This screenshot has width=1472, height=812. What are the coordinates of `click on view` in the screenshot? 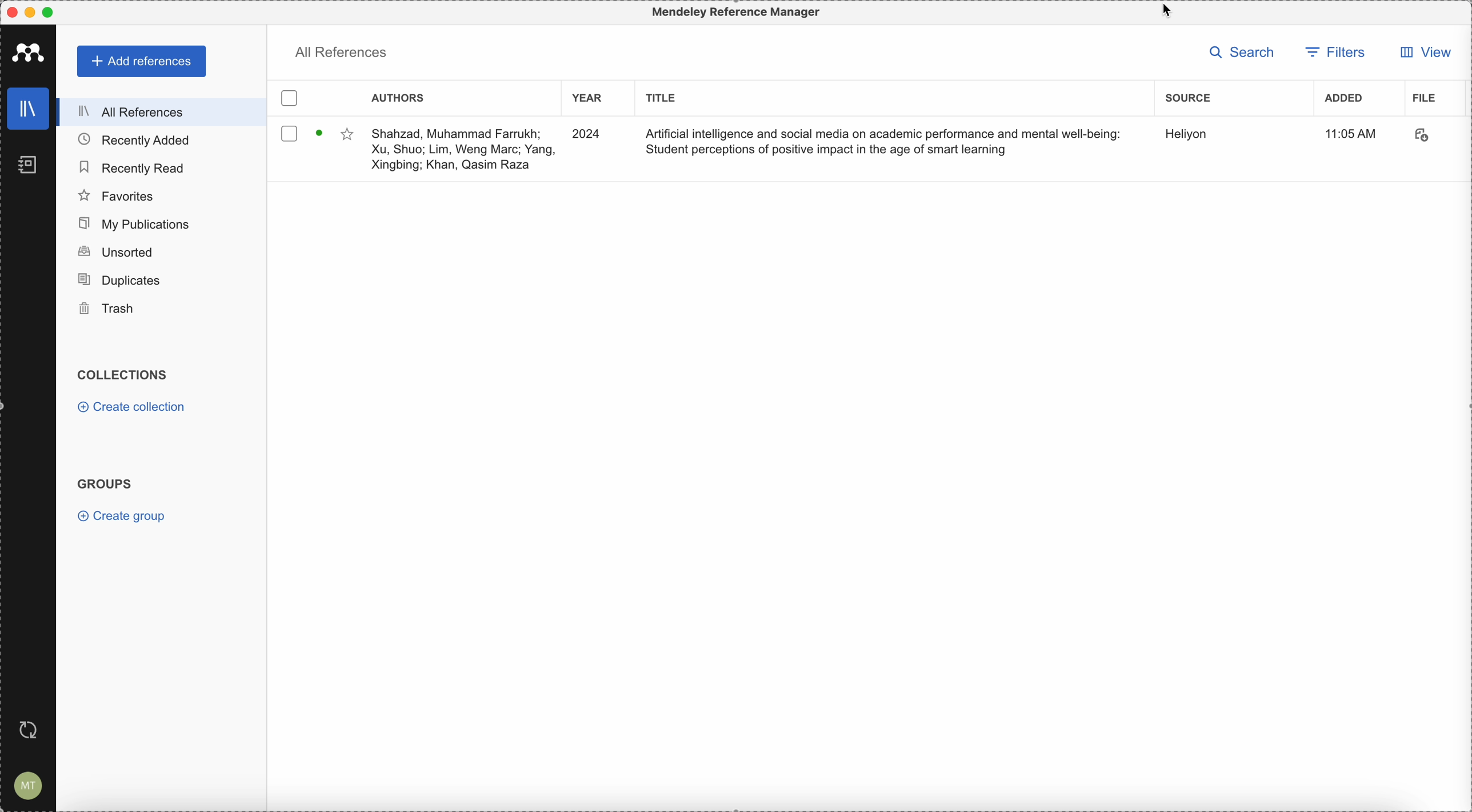 It's located at (1424, 52).